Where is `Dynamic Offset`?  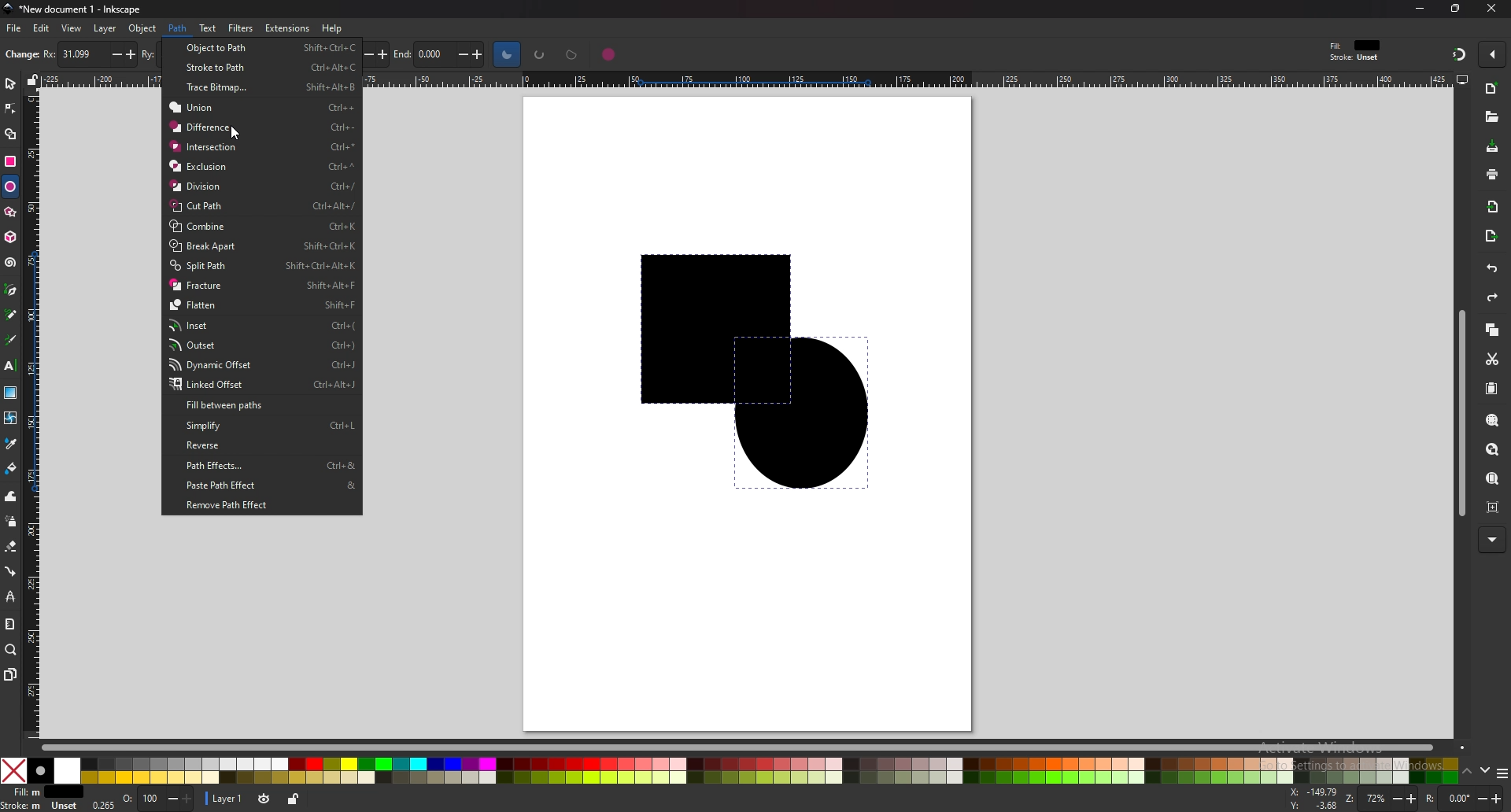 Dynamic Offset is located at coordinates (260, 365).